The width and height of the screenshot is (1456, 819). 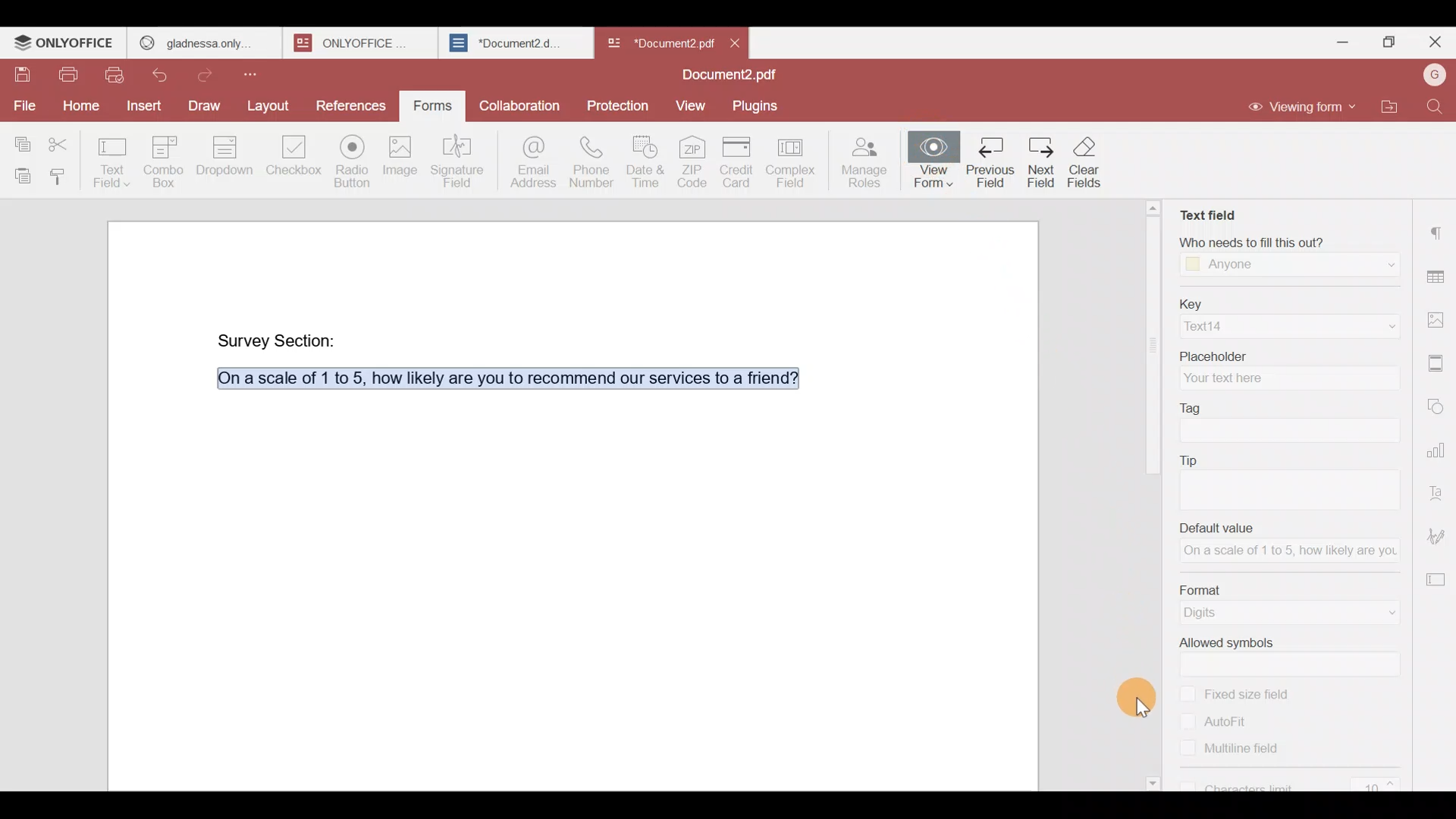 What do you see at coordinates (1288, 429) in the screenshot?
I see `textbox` at bounding box center [1288, 429].